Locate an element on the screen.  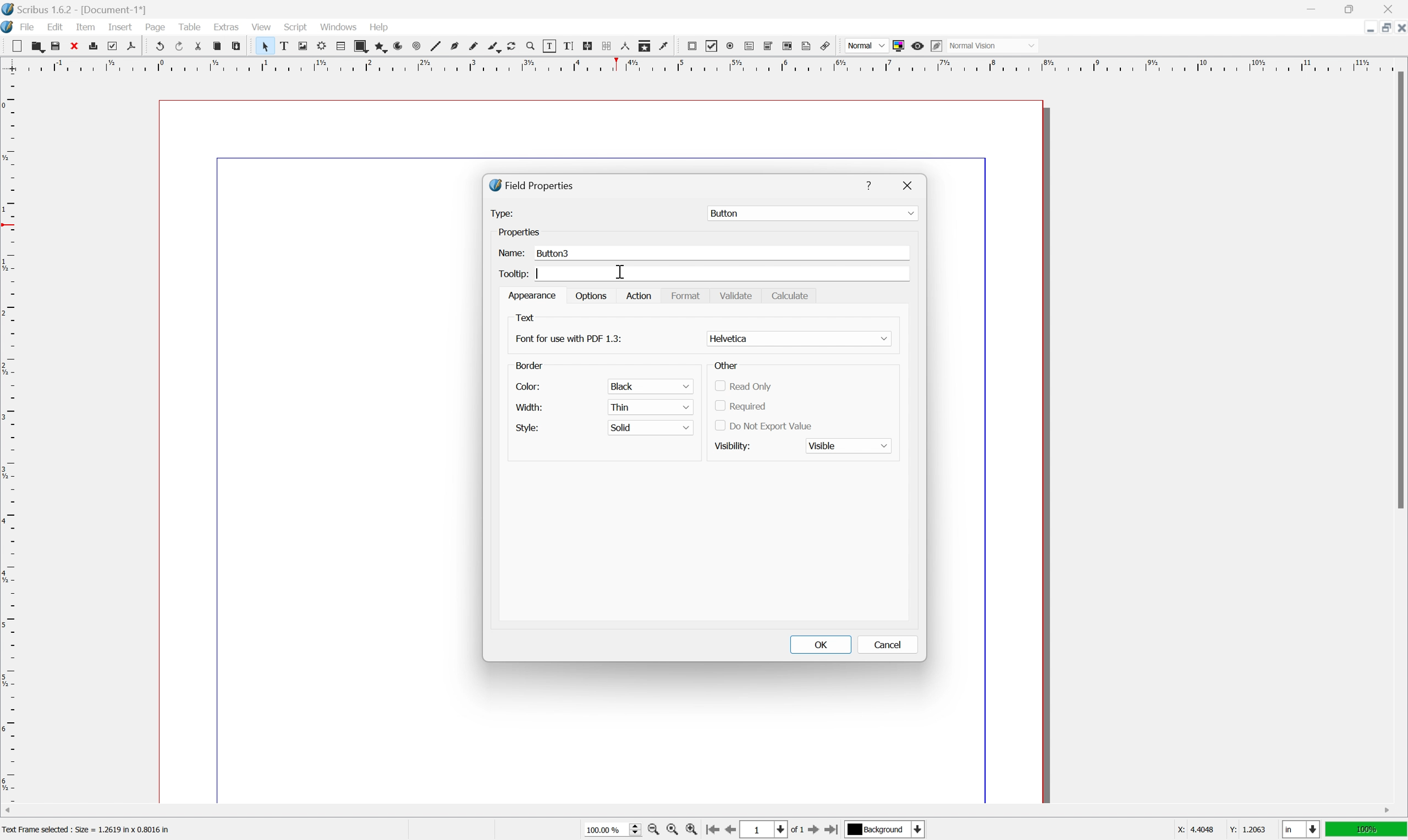
restore down is located at coordinates (1383, 27).